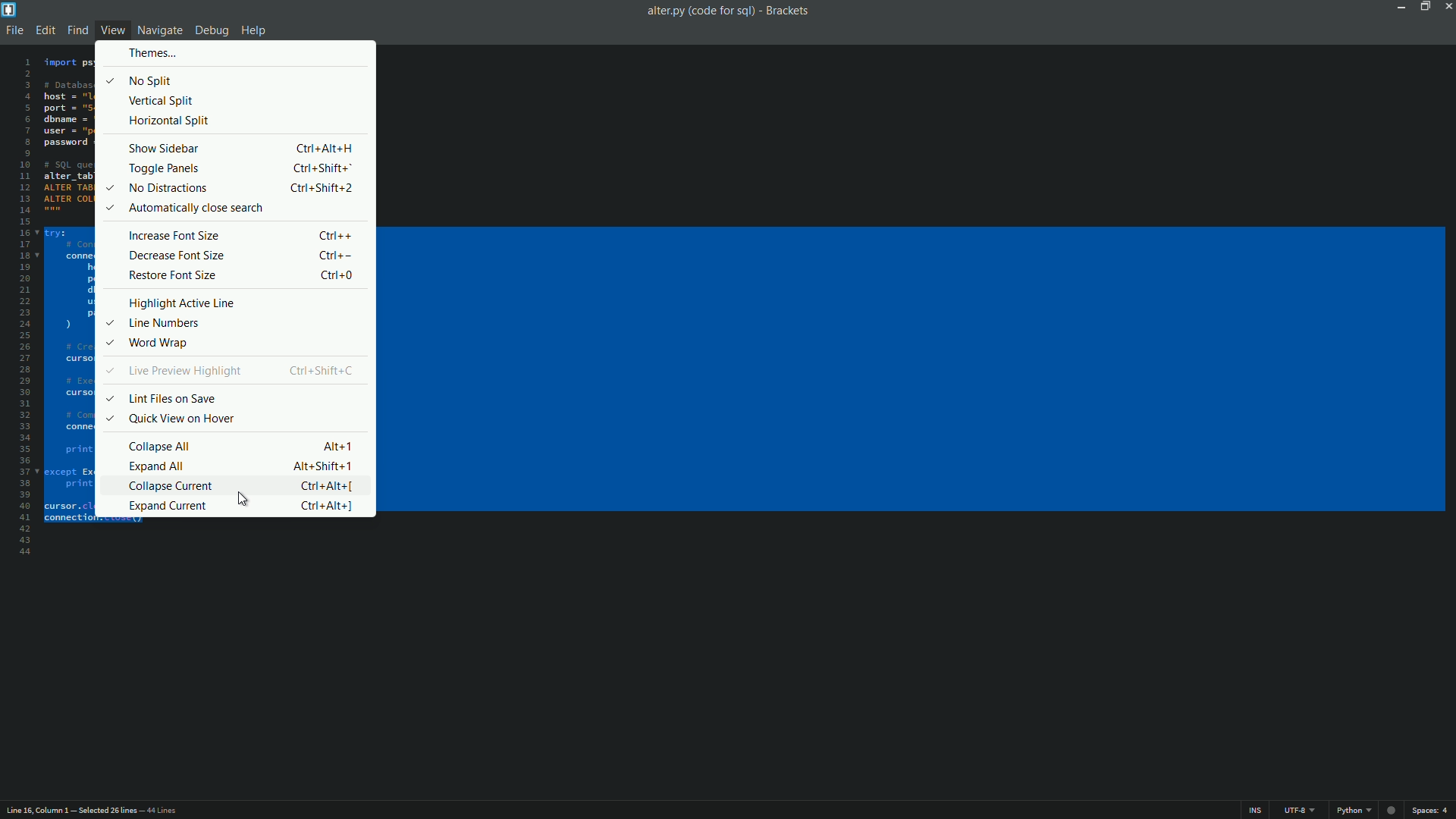 This screenshot has width=1456, height=819. What do you see at coordinates (325, 507) in the screenshot?
I see `keyboard shortcut` at bounding box center [325, 507].